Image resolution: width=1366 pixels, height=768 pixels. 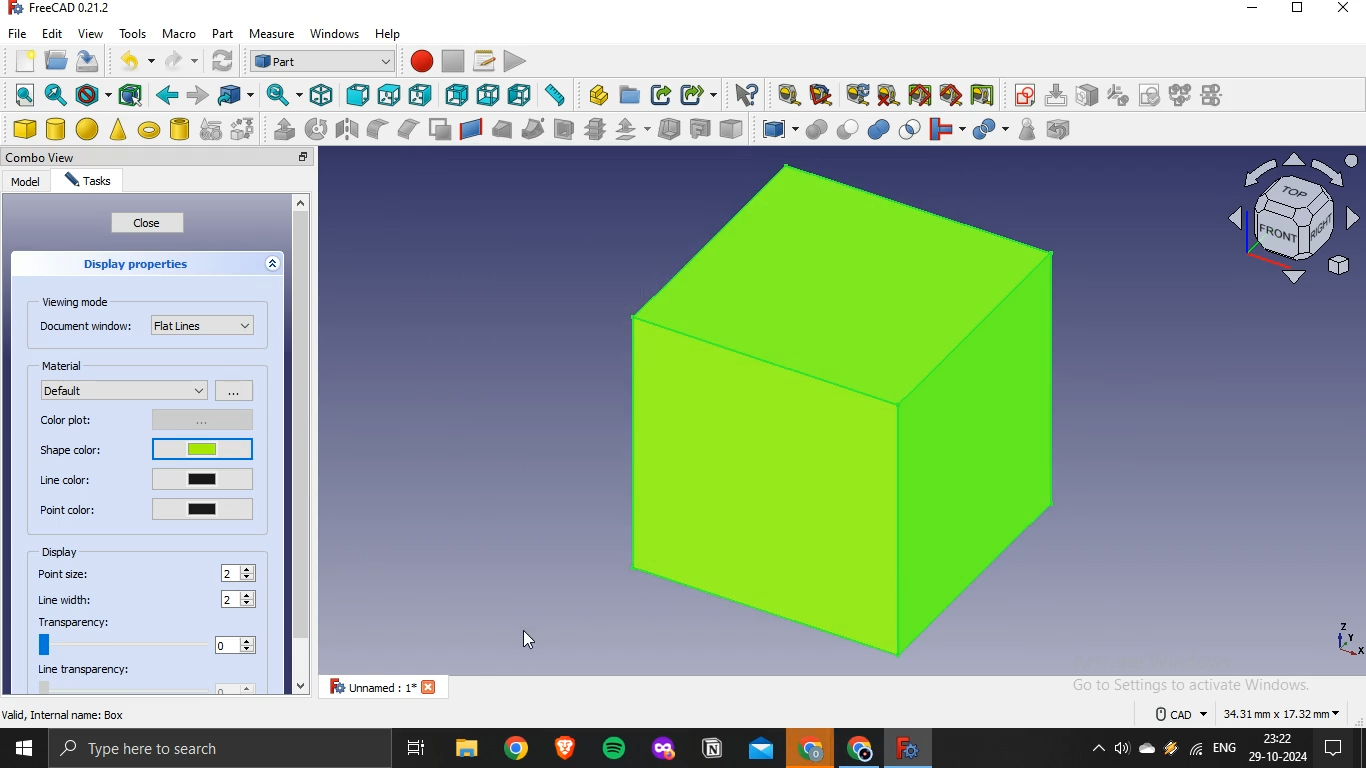 What do you see at coordinates (91, 181) in the screenshot?
I see `tasks` at bounding box center [91, 181].